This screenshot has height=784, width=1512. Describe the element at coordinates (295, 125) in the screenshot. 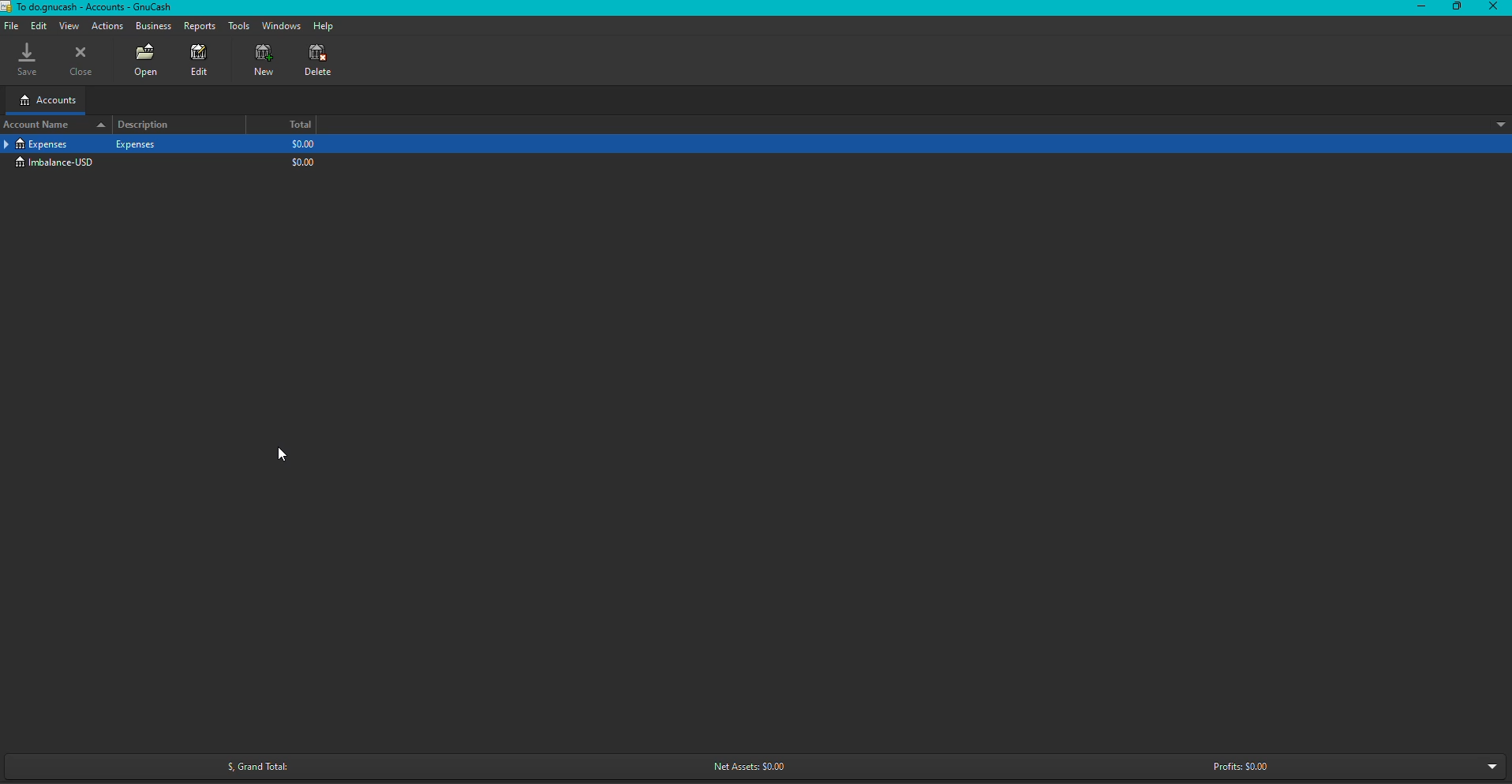

I see `Total` at that location.